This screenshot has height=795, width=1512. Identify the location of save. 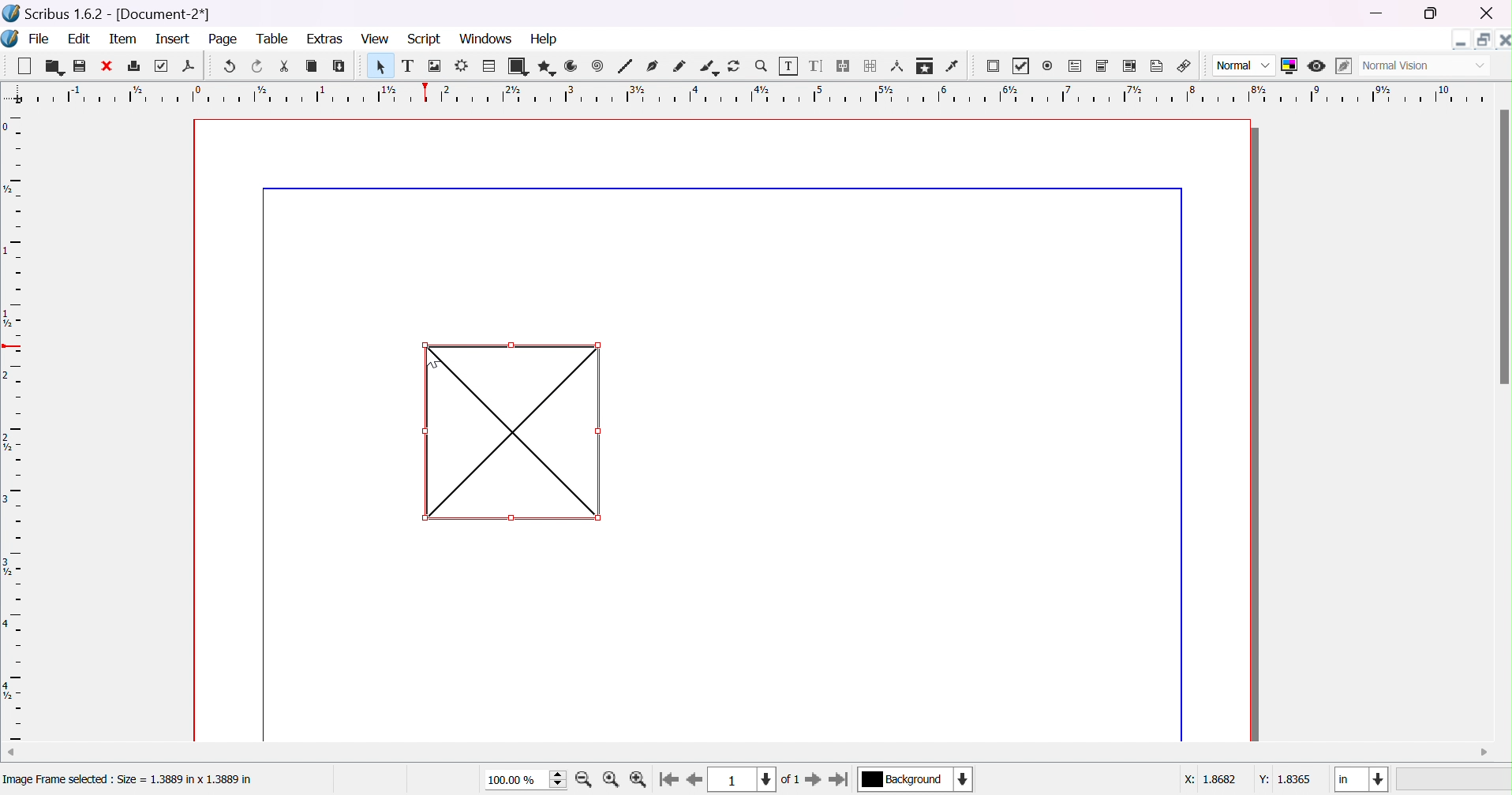
(80, 66).